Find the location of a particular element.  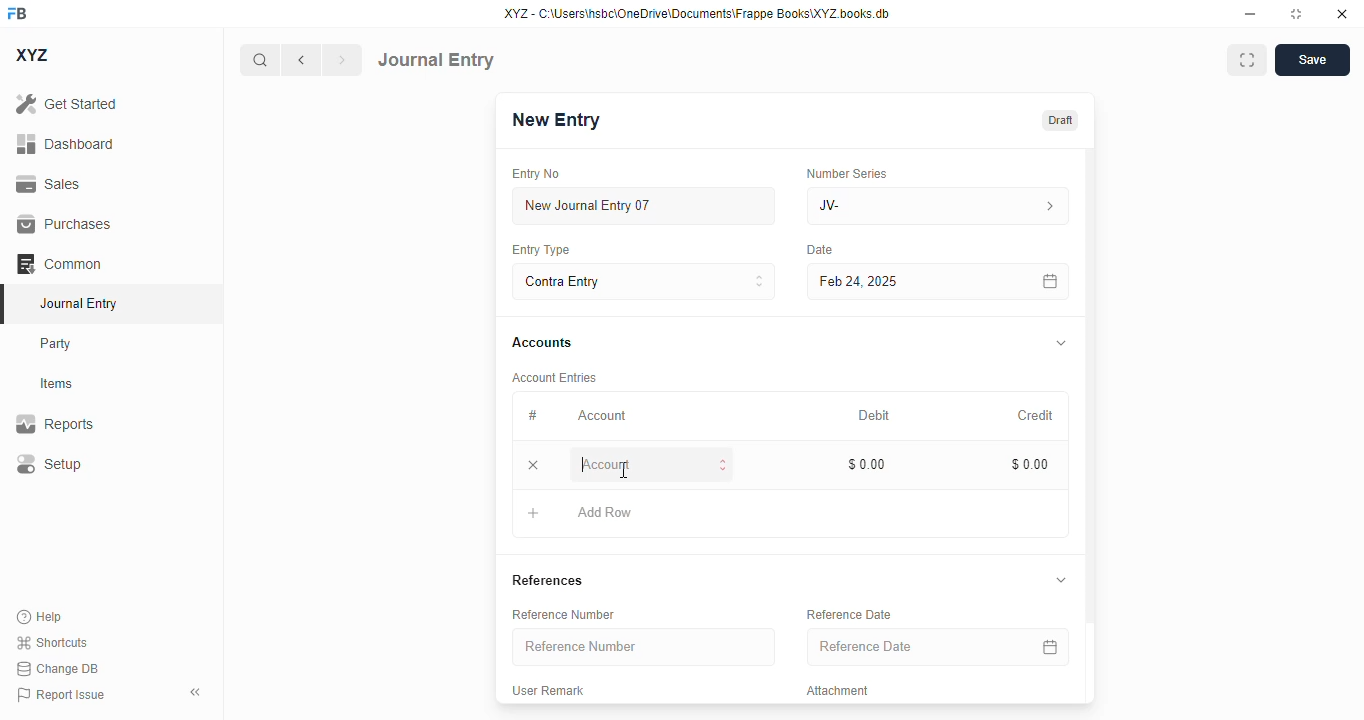

calendar icon is located at coordinates (1049, 646).